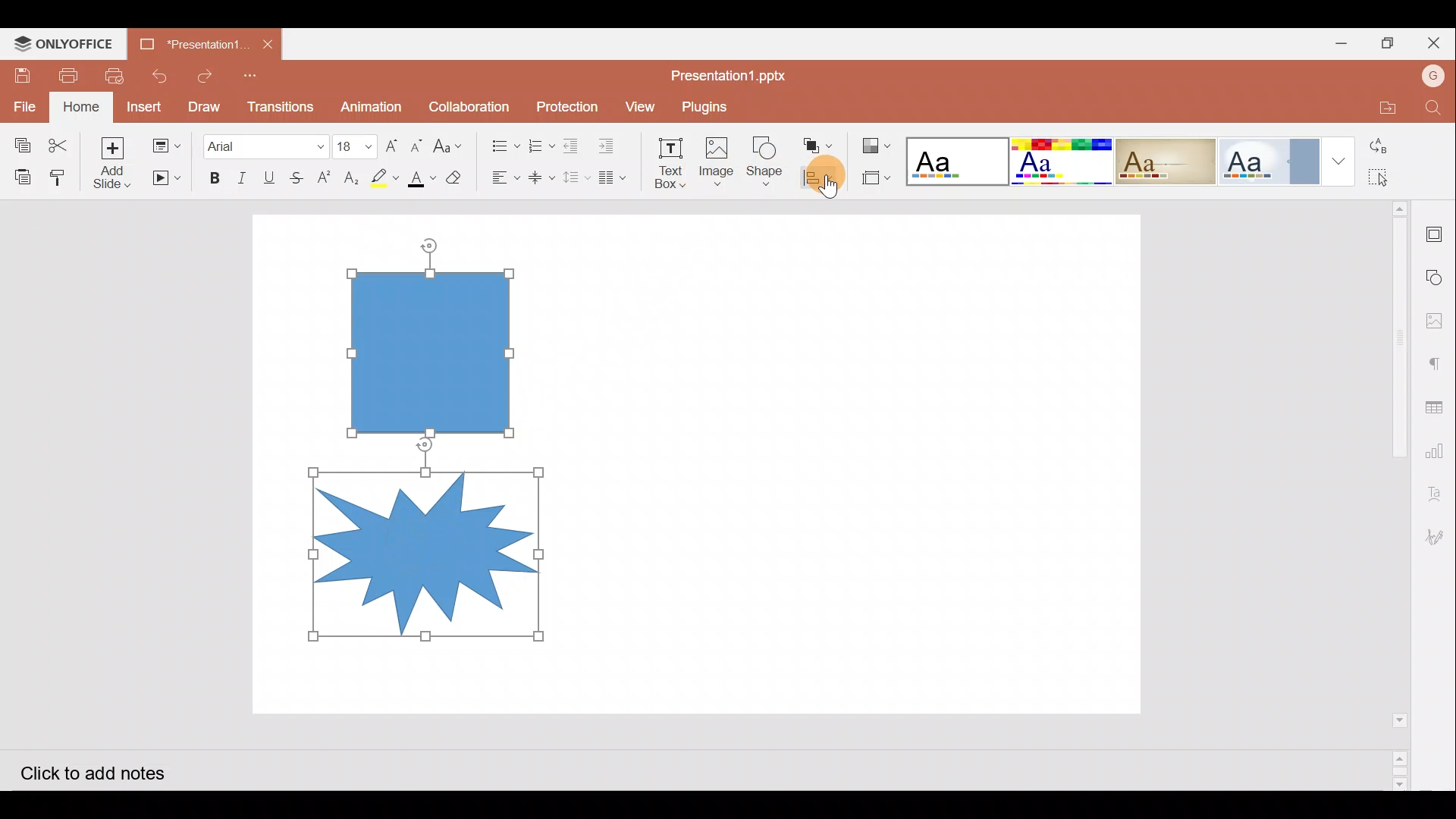 This screenshot has height=819, width=1456. I want to click on Undo, so click(160, 73).